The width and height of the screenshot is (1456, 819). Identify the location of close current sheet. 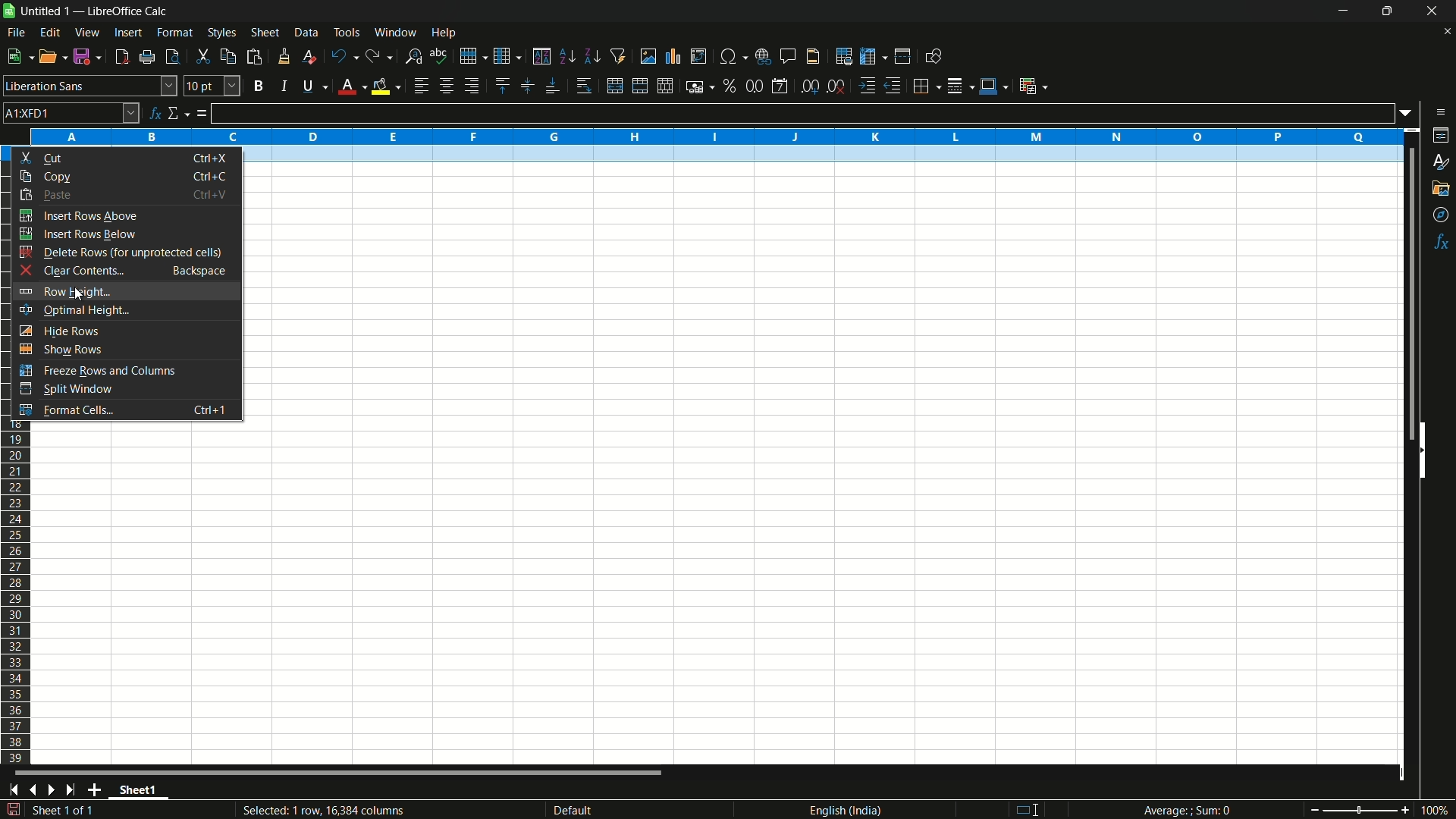
(1445, 35).